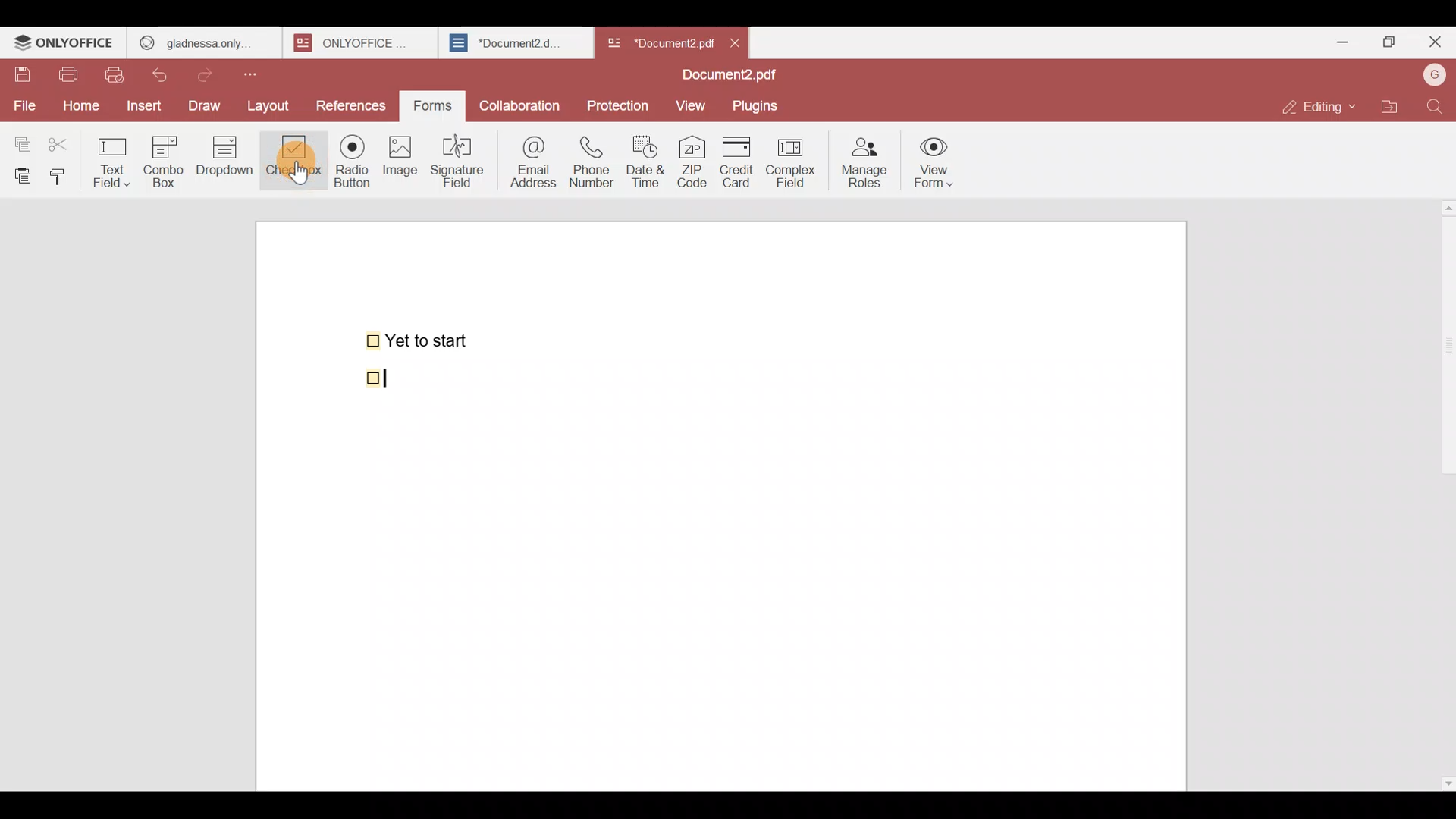 This screenshot has width=1456, height=819. What do you see at coordinates (203, 39) in the screenshot?
I see `gladness only` at bounding box center [203, 39].